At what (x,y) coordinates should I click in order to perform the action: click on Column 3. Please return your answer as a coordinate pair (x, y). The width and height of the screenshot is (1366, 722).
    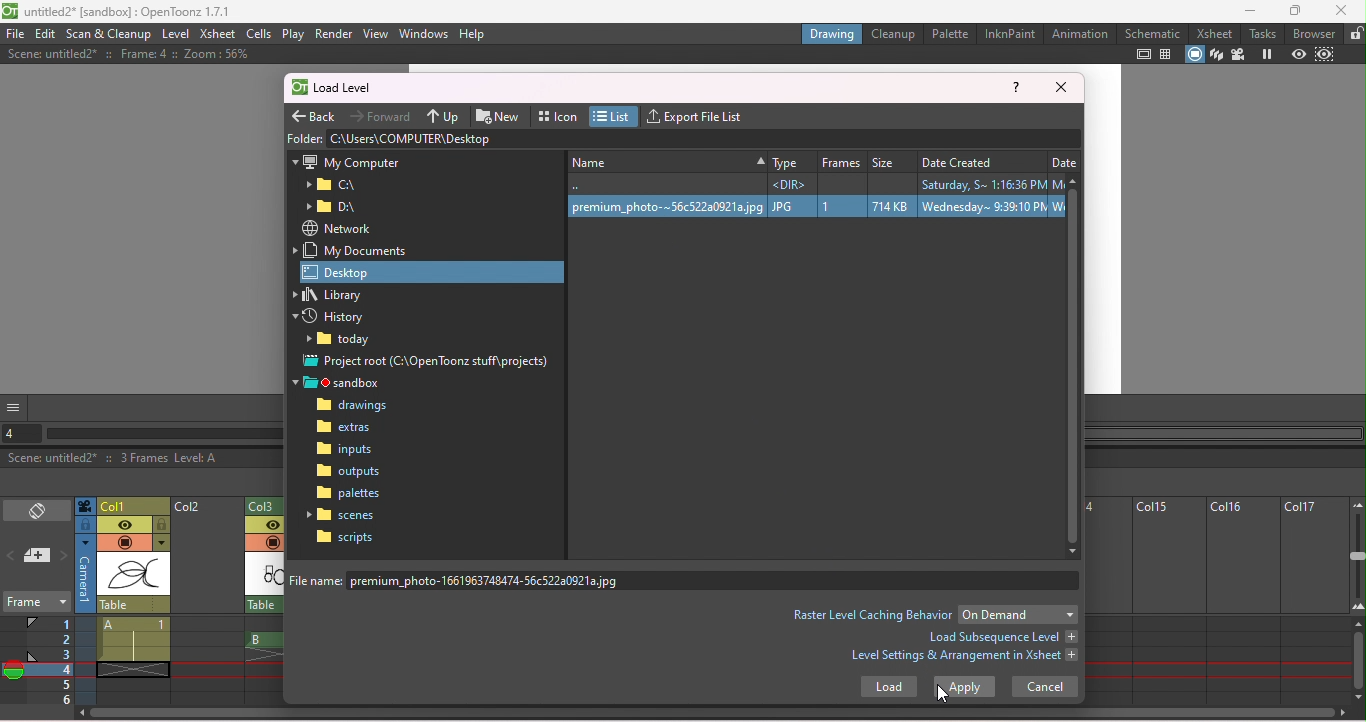
    Looking at the image, I should click on (269, 504).